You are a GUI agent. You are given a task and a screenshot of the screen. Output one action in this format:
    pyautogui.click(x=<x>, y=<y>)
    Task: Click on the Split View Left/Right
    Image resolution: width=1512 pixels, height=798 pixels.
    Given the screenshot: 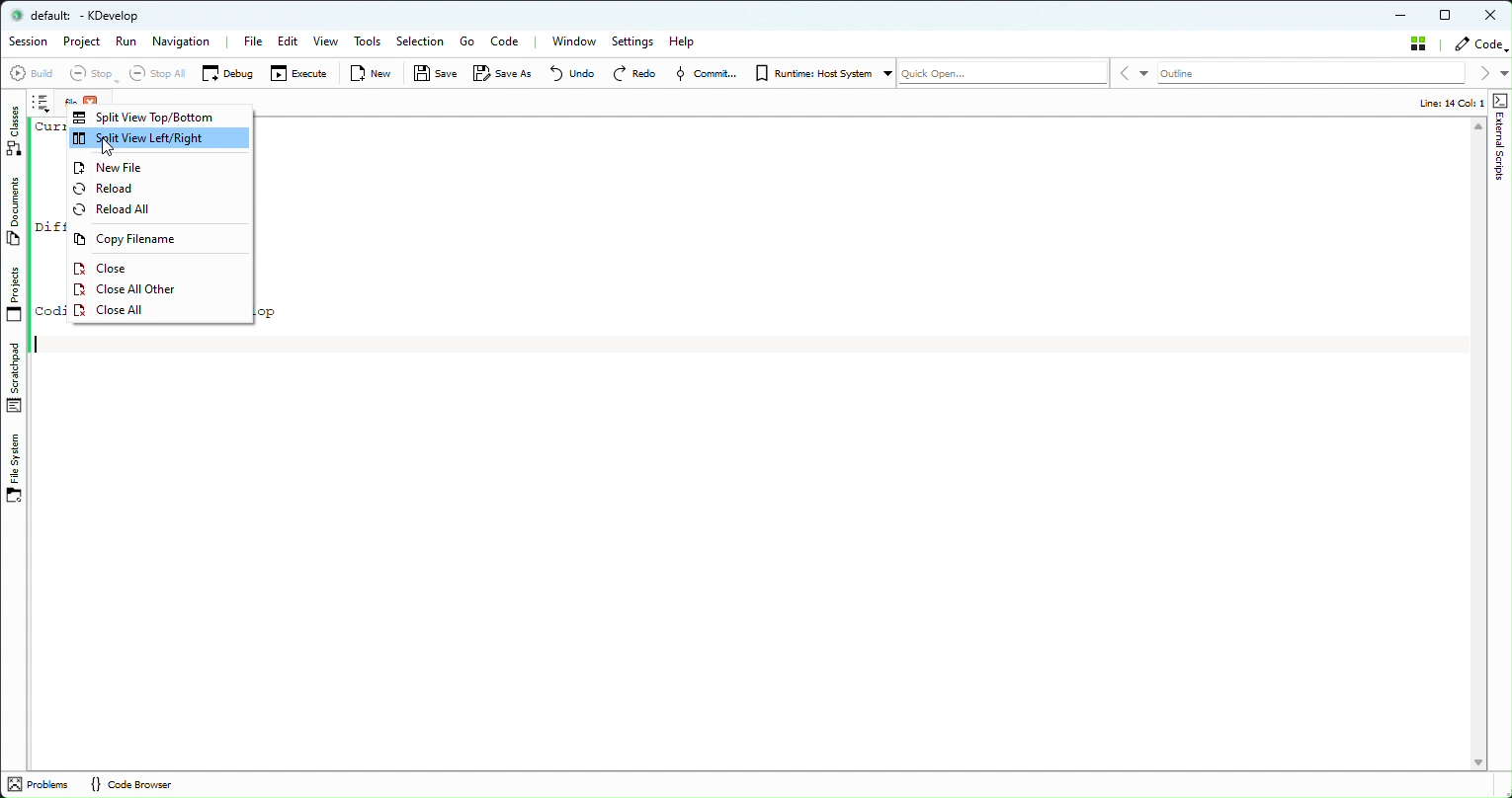 What is the action you would take?
    pyautogui.click(x=161, y=139)
    